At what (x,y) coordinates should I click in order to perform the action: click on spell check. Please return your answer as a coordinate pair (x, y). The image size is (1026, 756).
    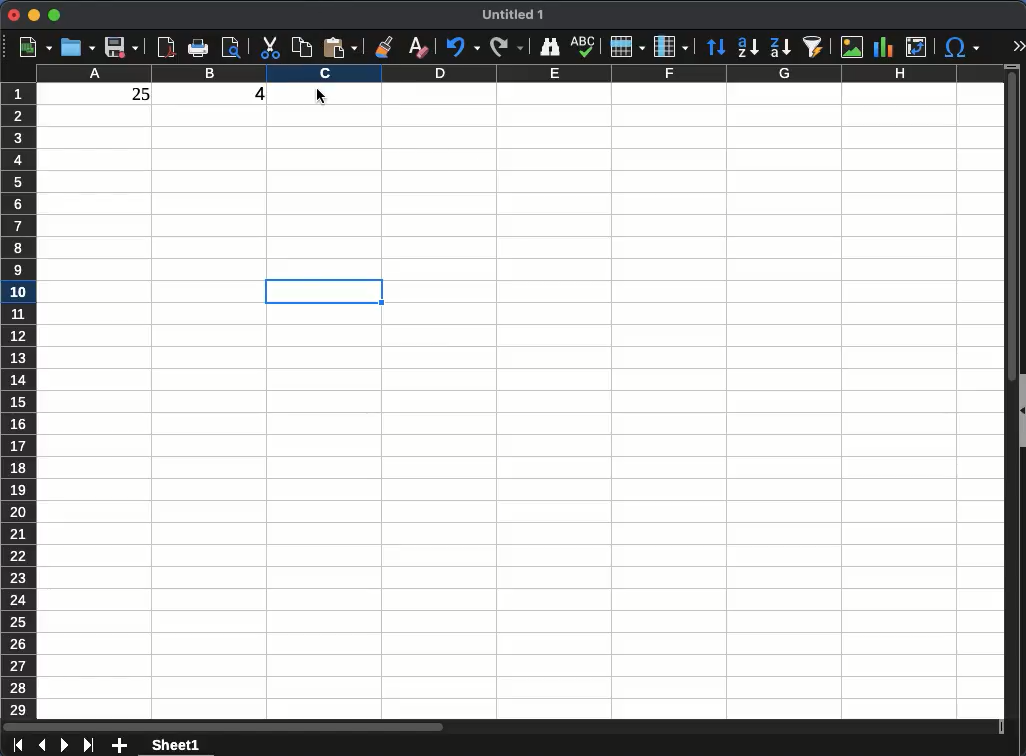
    Looking at the image, I should click on (584, 47).